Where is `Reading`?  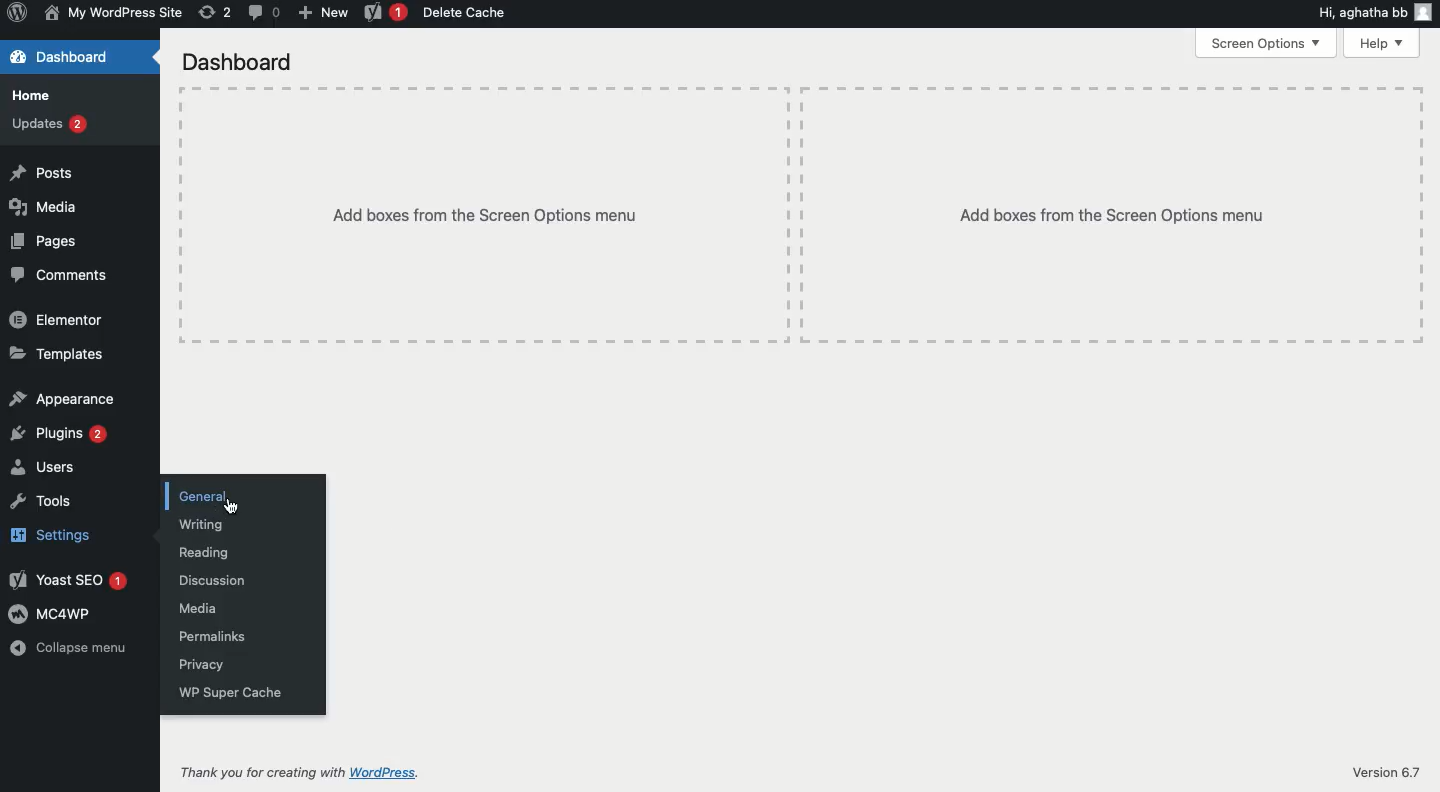 Reading is located at coordinates (202, 553).